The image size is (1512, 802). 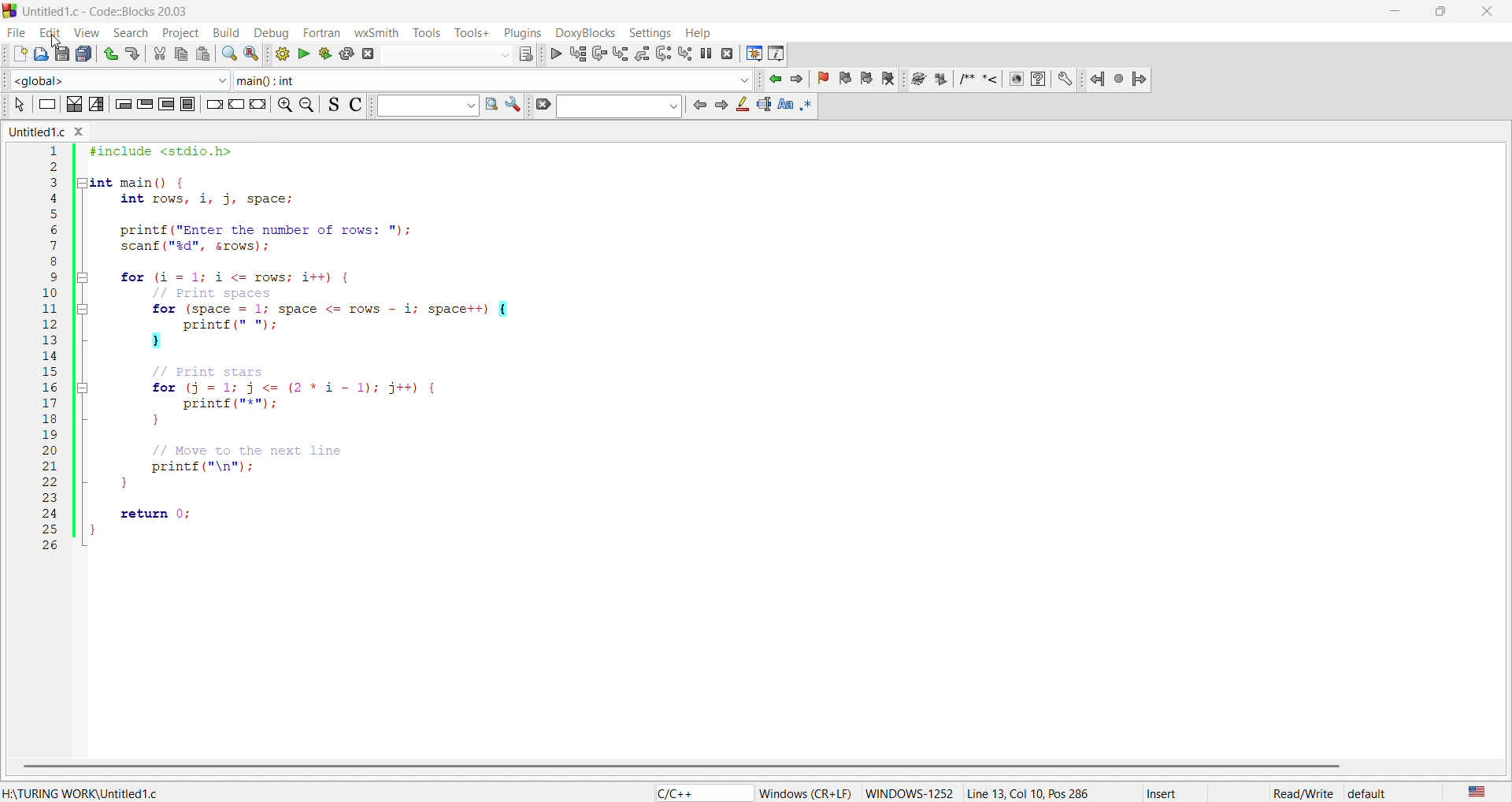 What do you see at coordinates (51, 32) in the screenshot?
I see `edit` at bounding box center [51, 32].